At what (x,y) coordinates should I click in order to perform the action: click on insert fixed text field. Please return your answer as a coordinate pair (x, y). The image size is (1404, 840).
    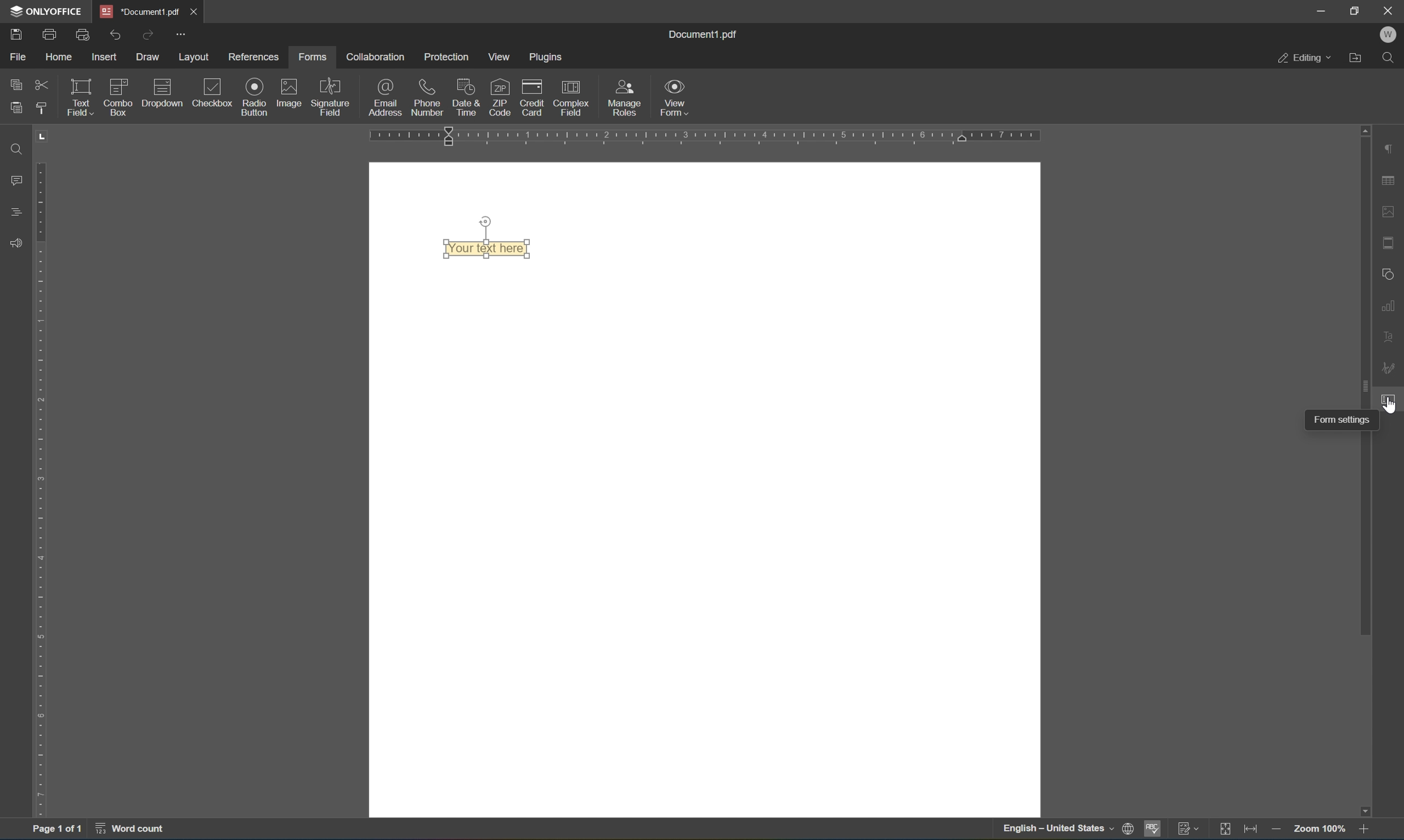
    Looking at the image, I should click on (143, 113).